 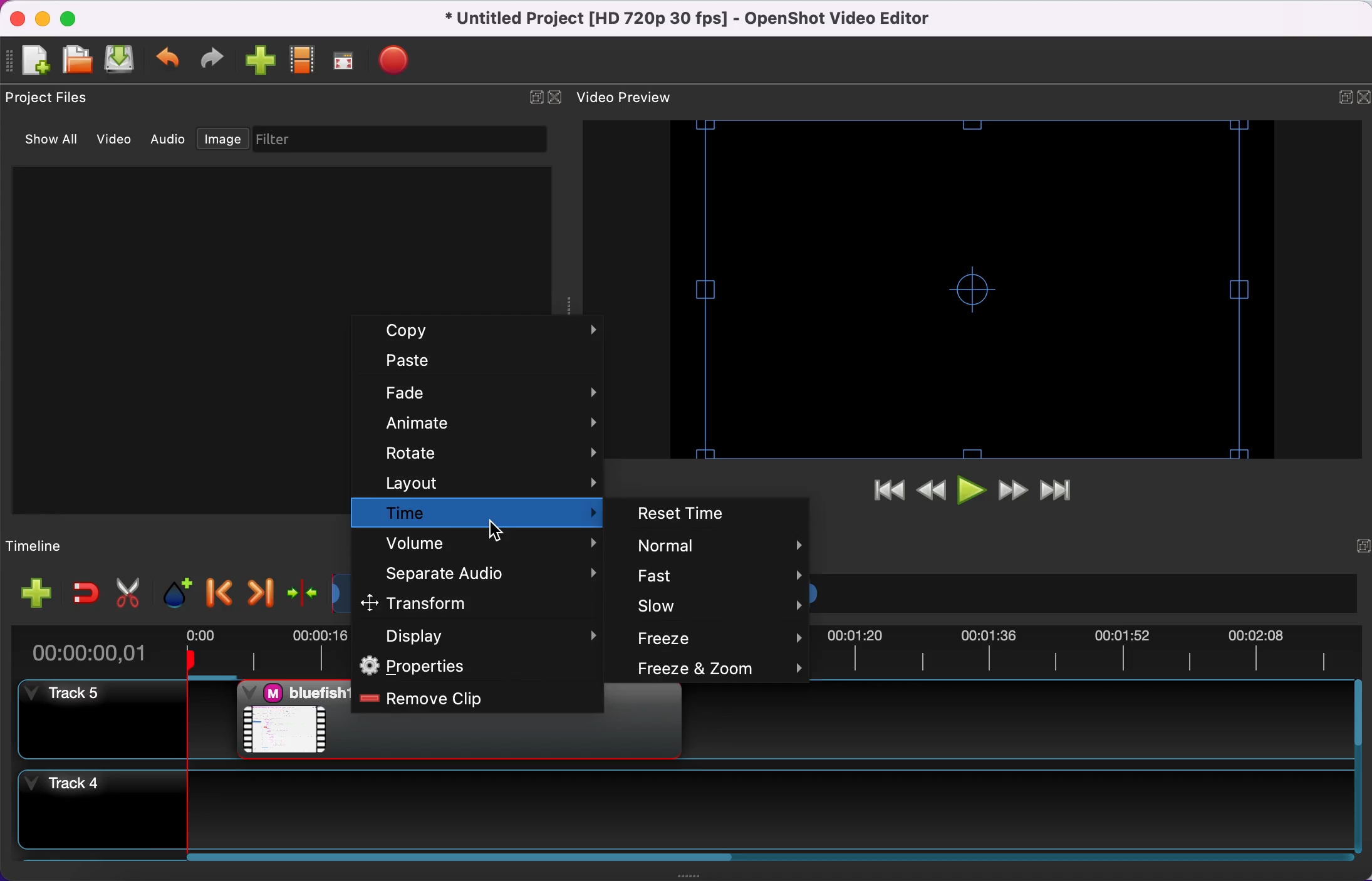 What do you see at coordinates (117, 141) in the screenshot?
I see `video` at bounding box center [117, 141].